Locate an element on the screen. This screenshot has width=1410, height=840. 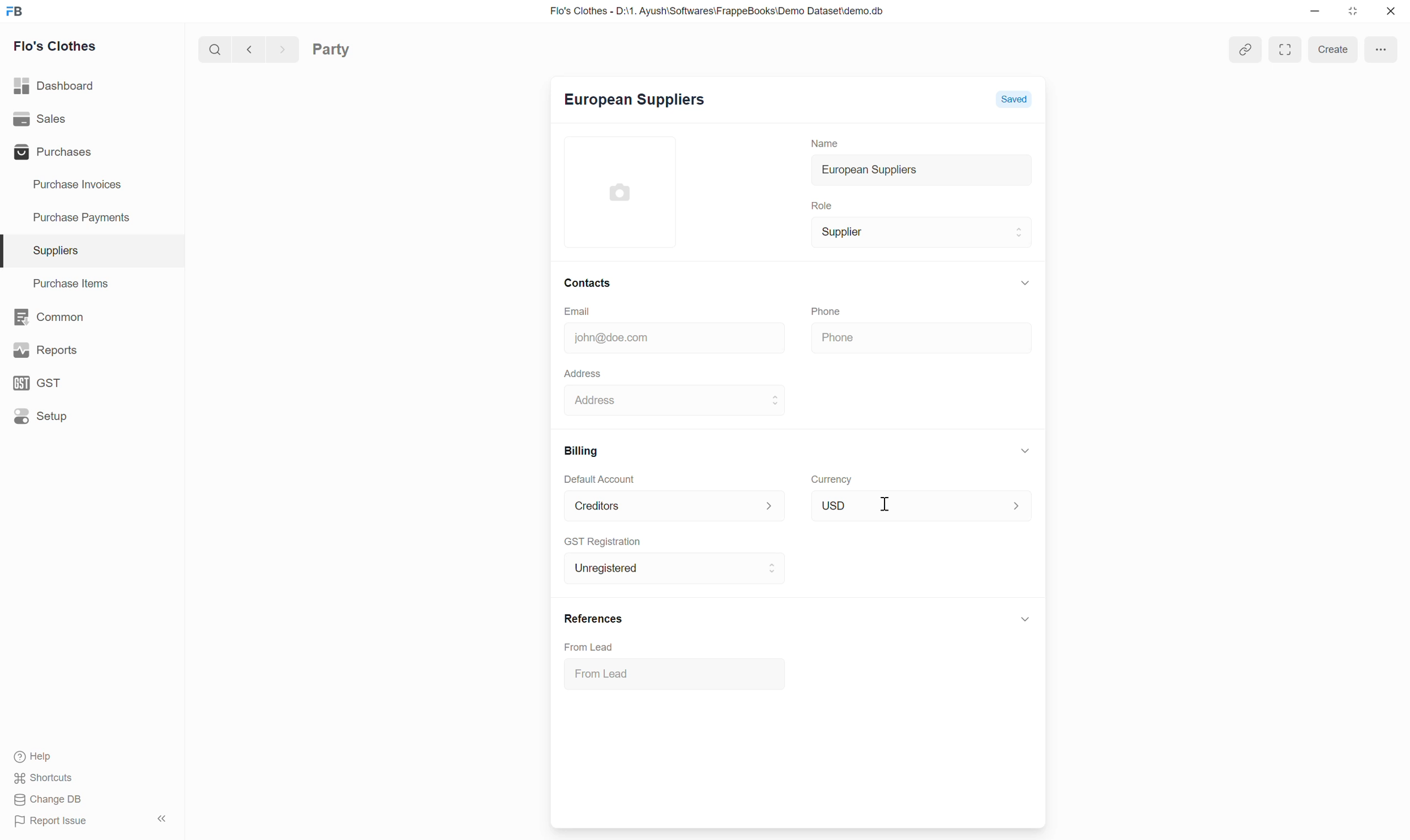
minimise is located at coordinates (1312, 11).